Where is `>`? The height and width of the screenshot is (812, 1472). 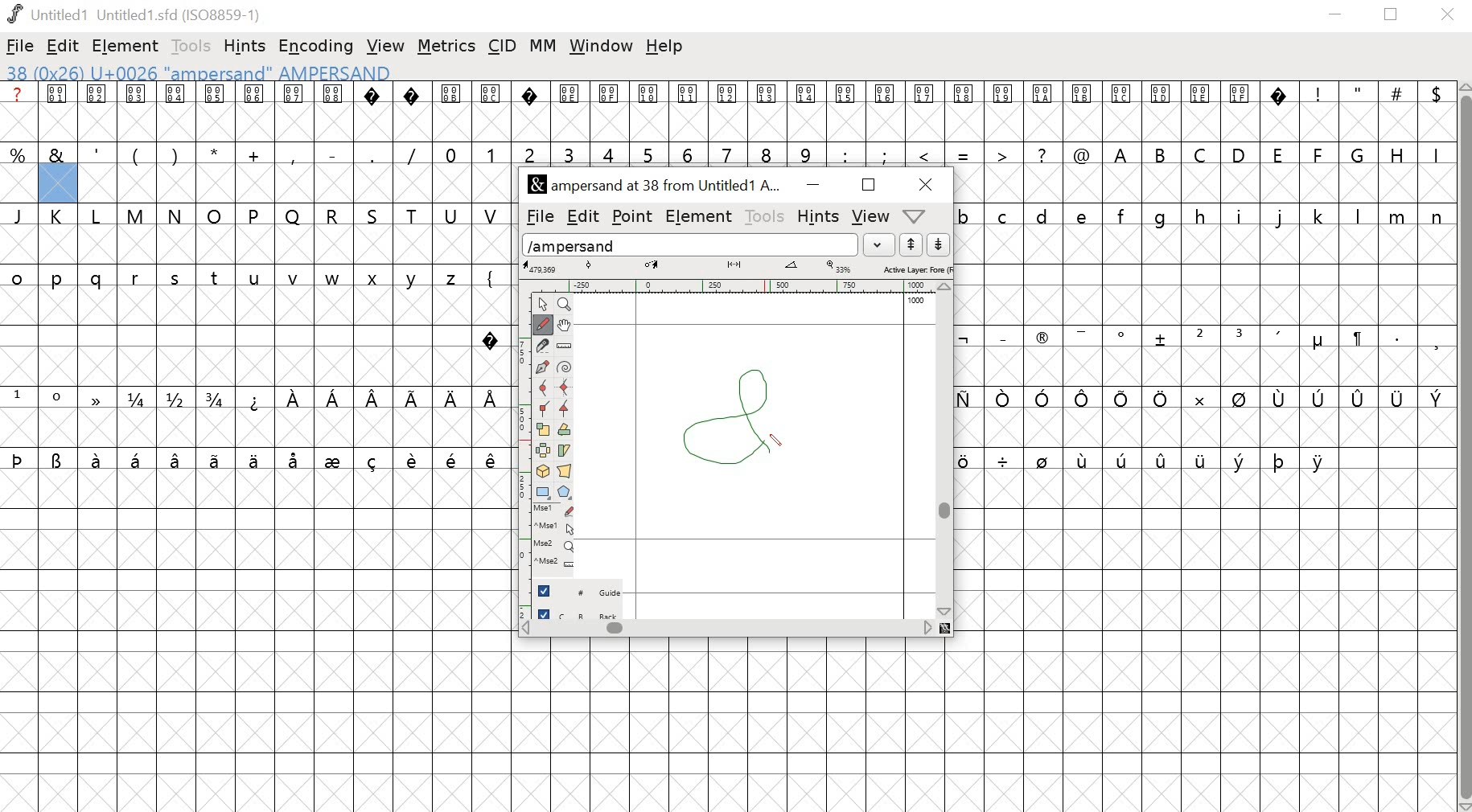
> is located at coordinates (1003, 153).